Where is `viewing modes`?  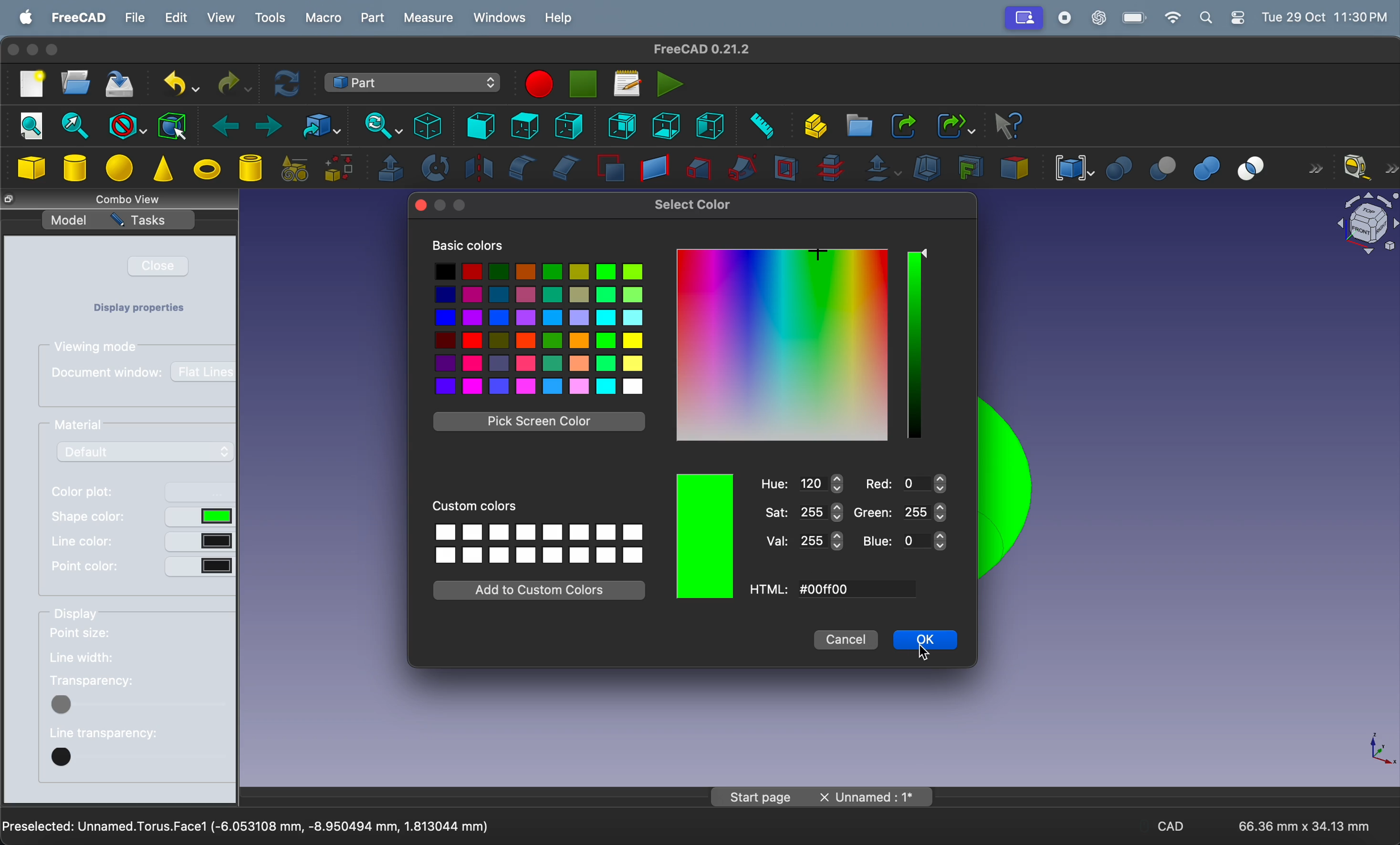 viewing modes is located at coordinates (95, 348).